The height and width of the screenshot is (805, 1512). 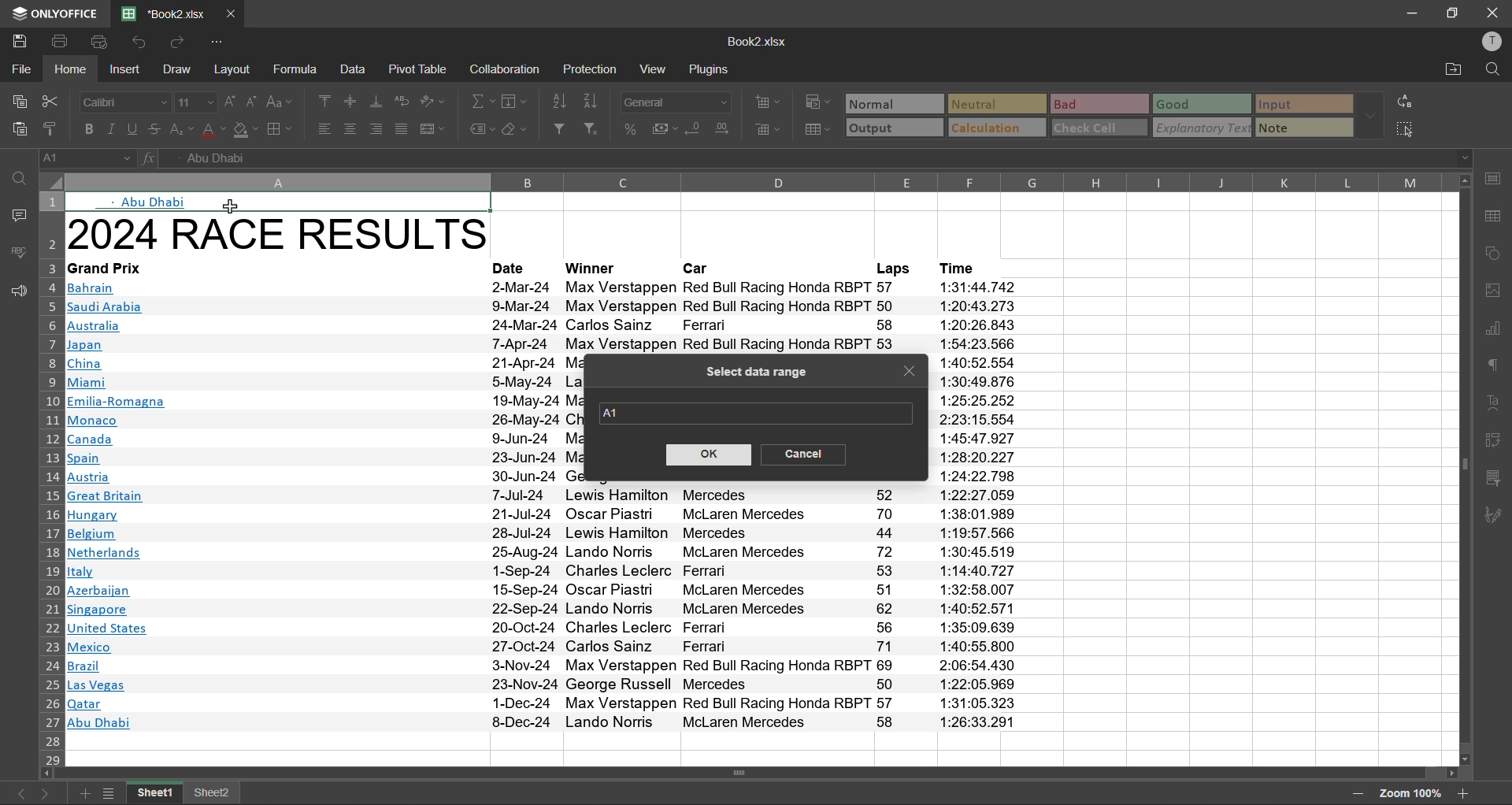 I want to click on Date, Winner,Car,Laps, Time Data, so click(x=751, y=300).